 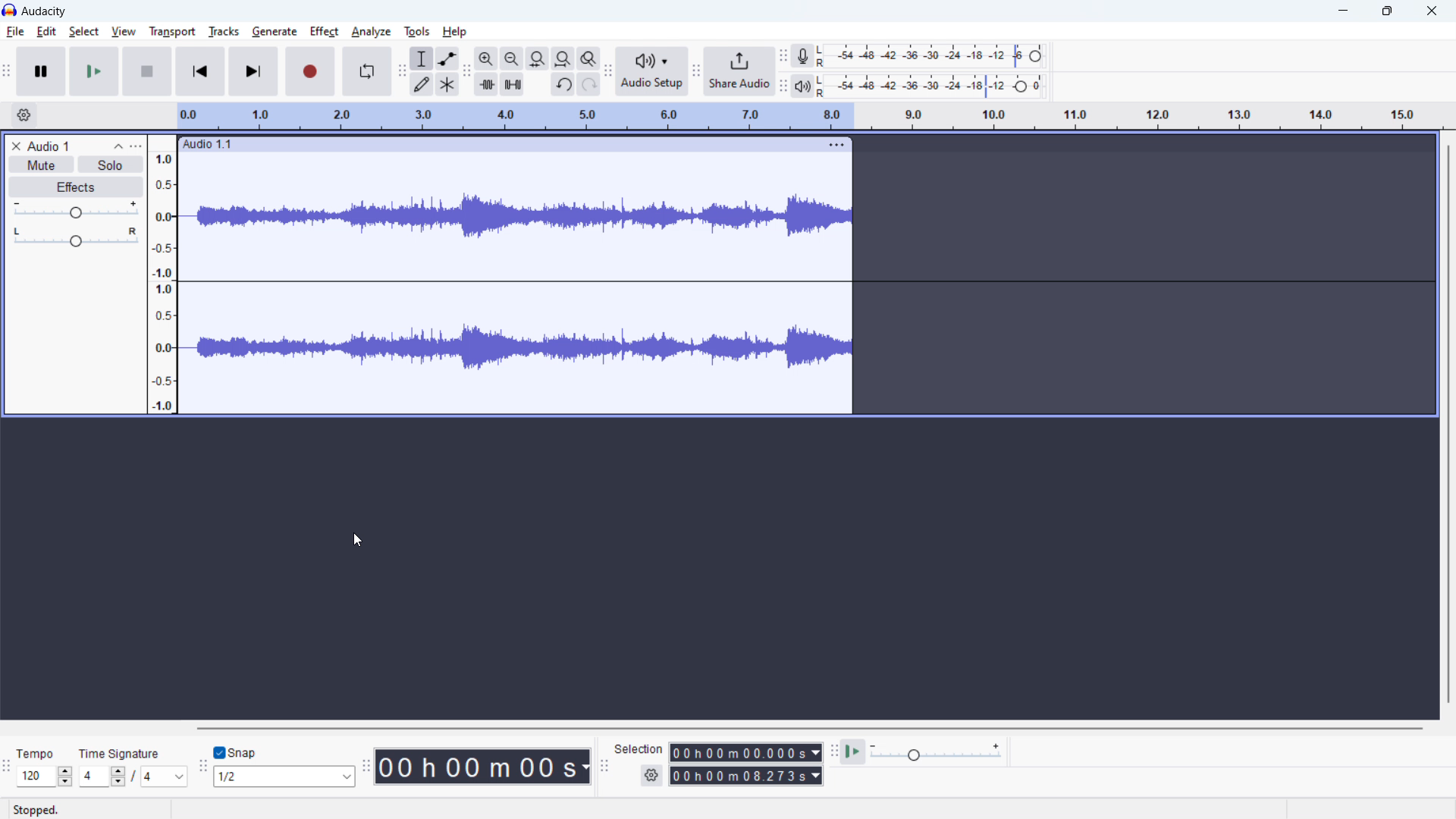 What do you see at coordinates (365, 767) in the screenshot?
I see `time toolbar` at bounding box center [365, 767].